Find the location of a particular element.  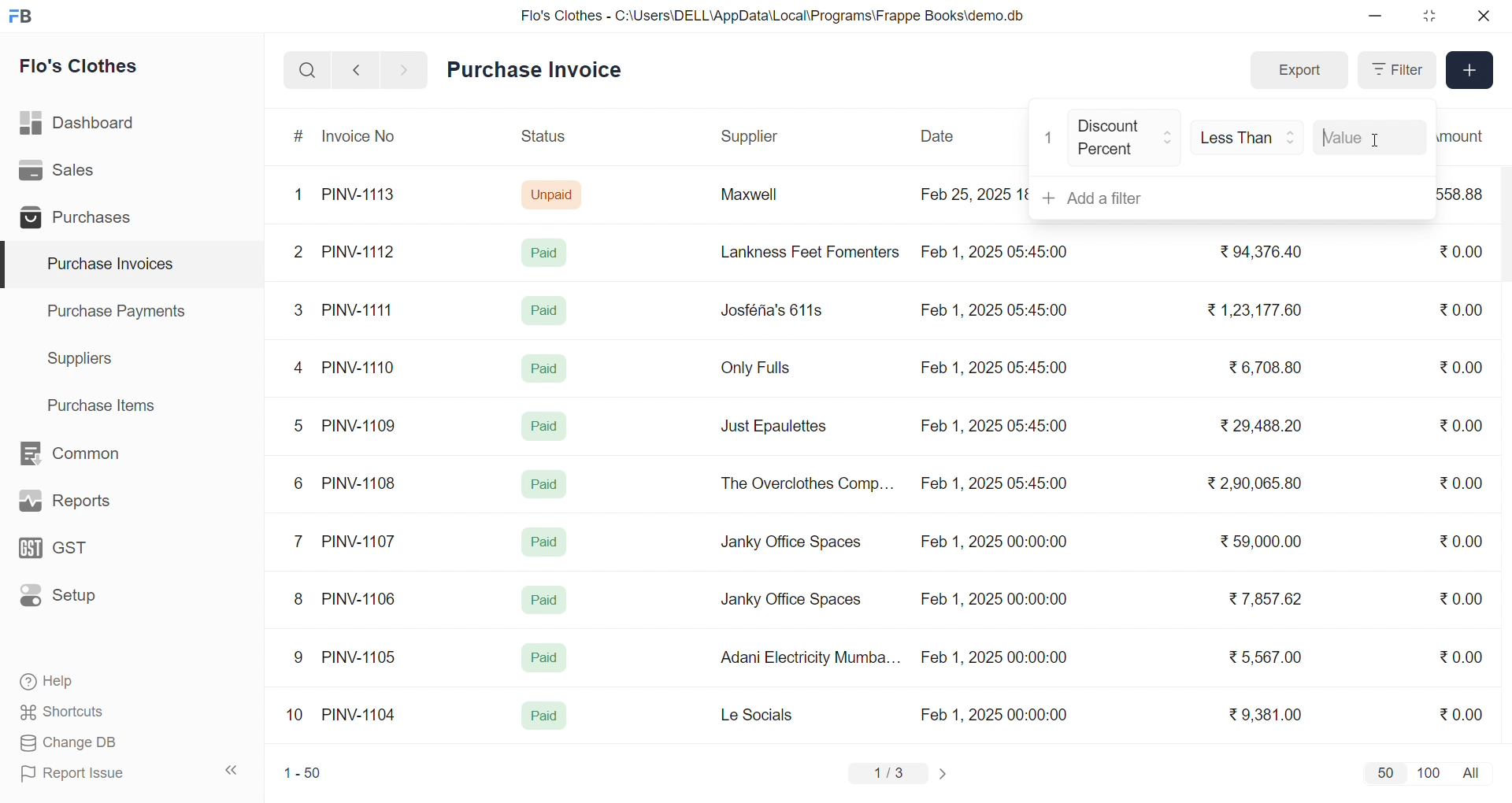

₹6,708.80 is located at coordinates (1265, 364).